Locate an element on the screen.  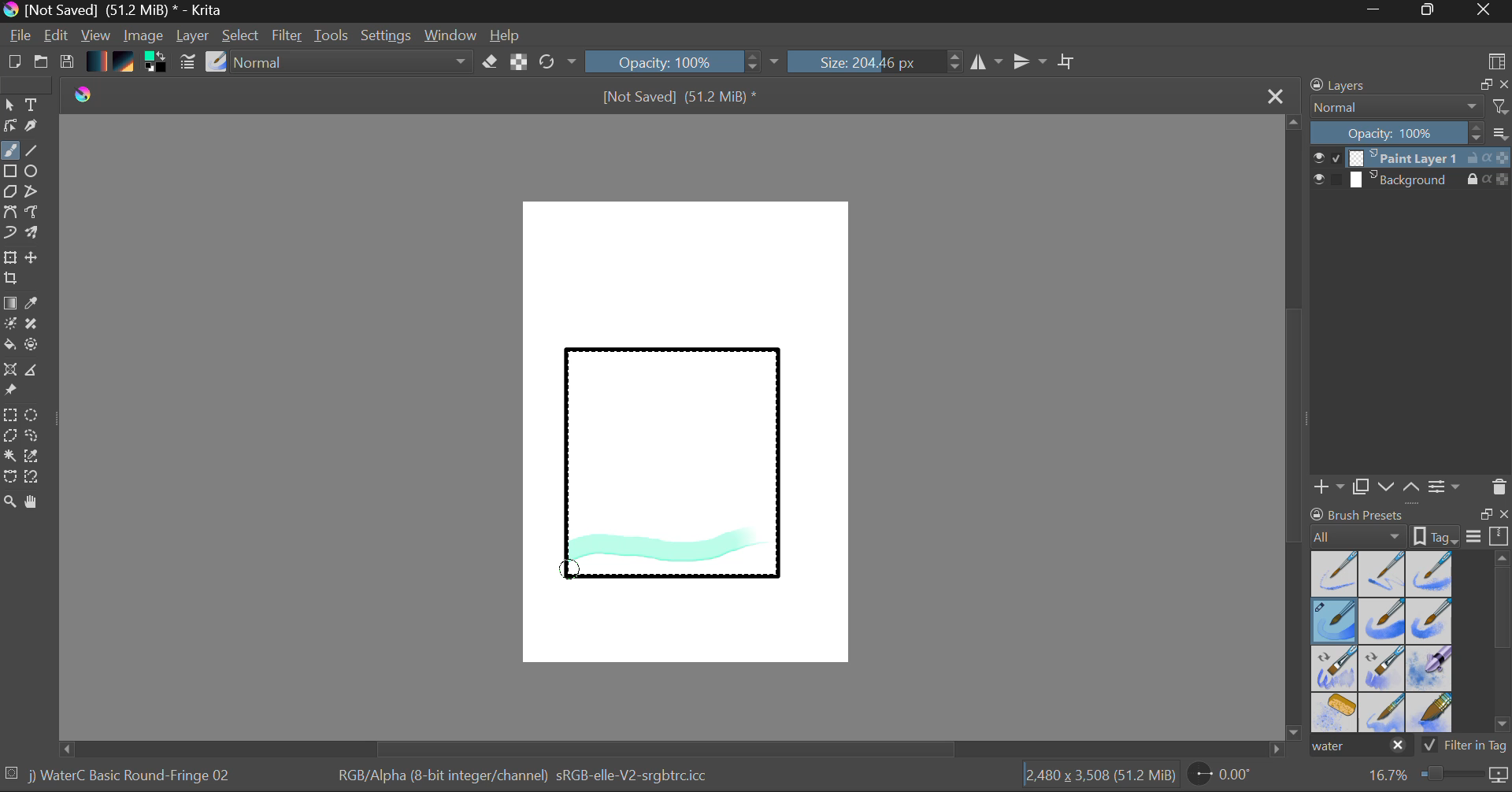
Water C - Wet Pattern is located at coordinates (1429, 574).